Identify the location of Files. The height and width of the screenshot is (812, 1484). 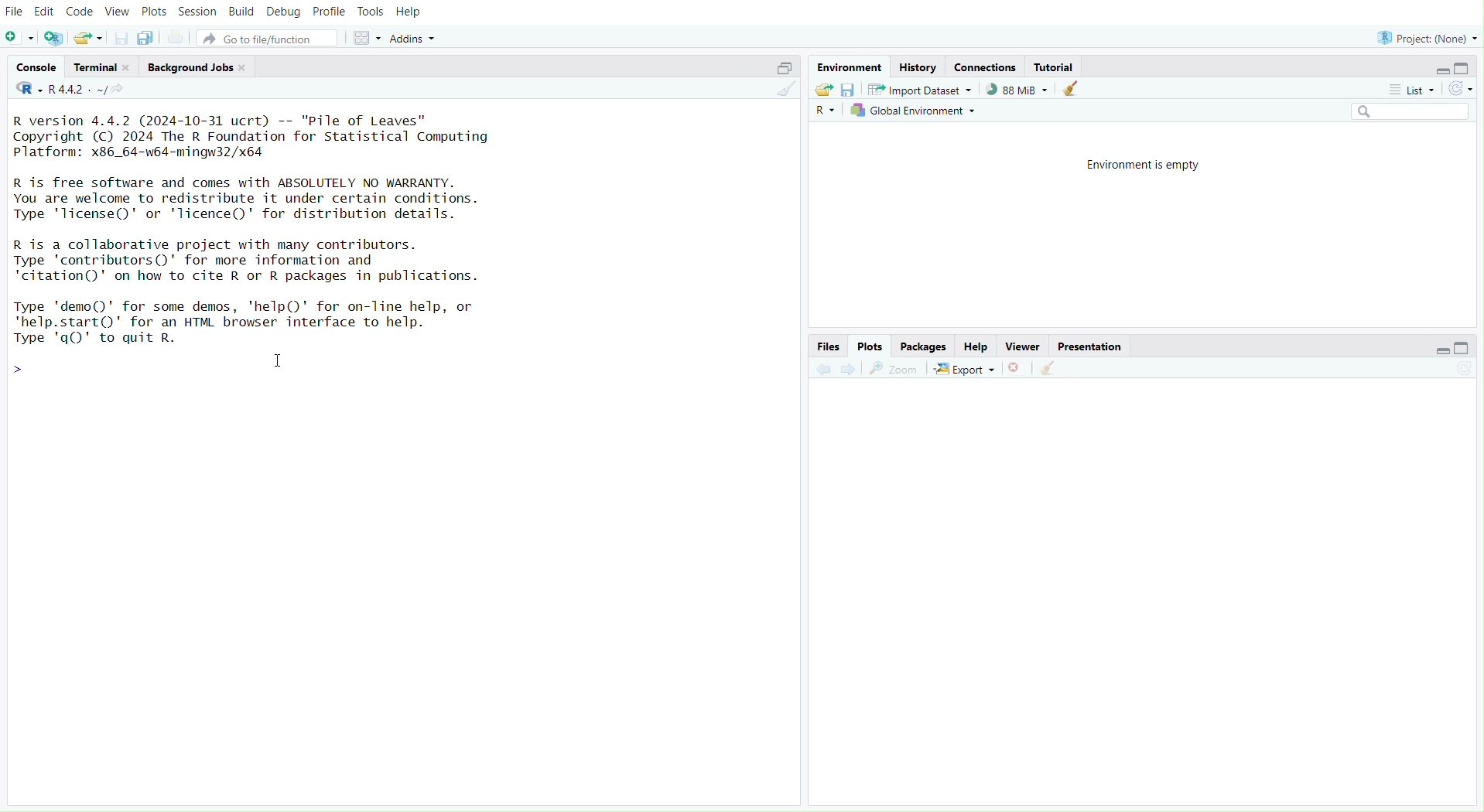
(829, 346).